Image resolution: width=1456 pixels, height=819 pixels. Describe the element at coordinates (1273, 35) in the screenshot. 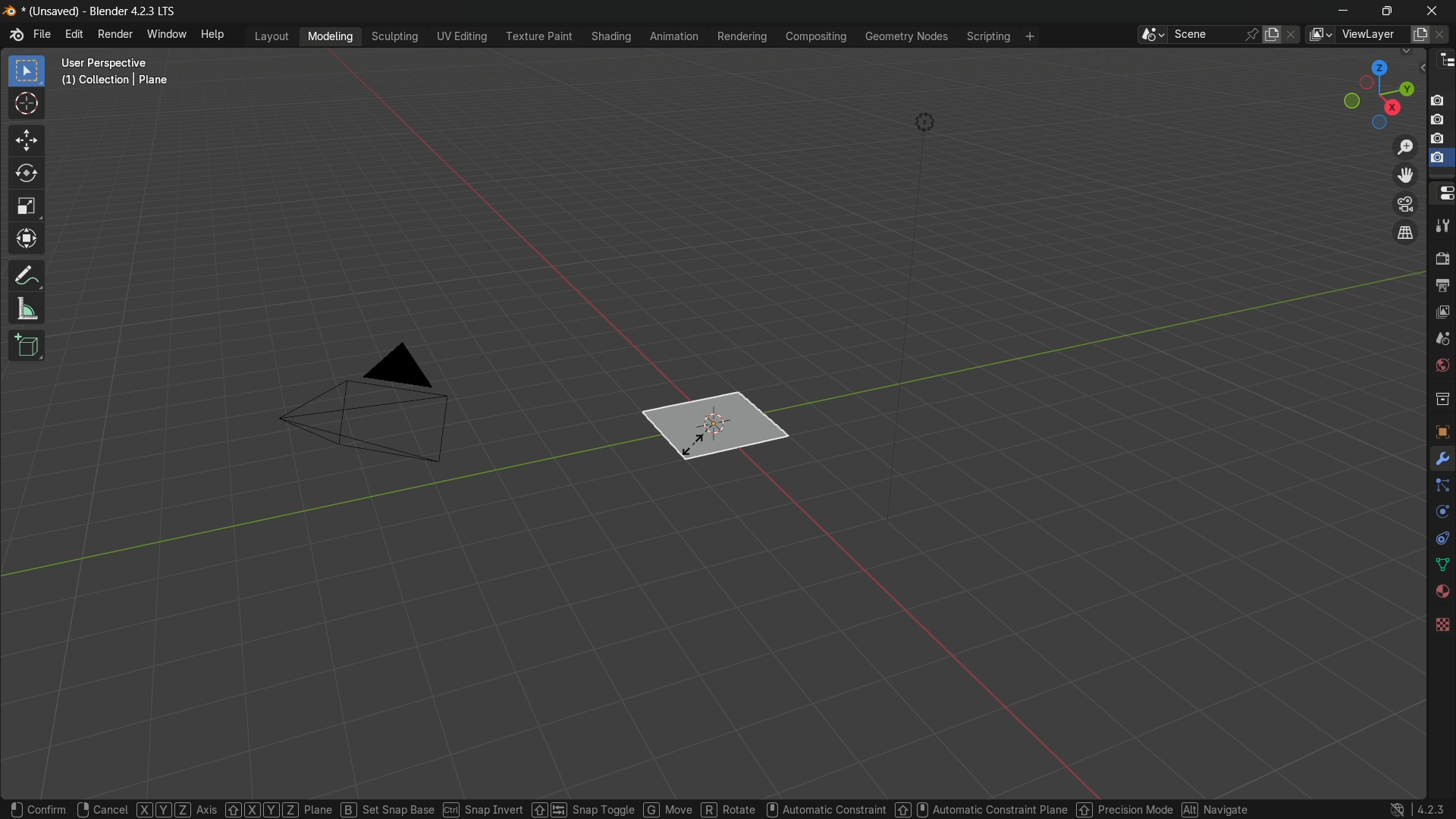

I see `new scene` at that location.